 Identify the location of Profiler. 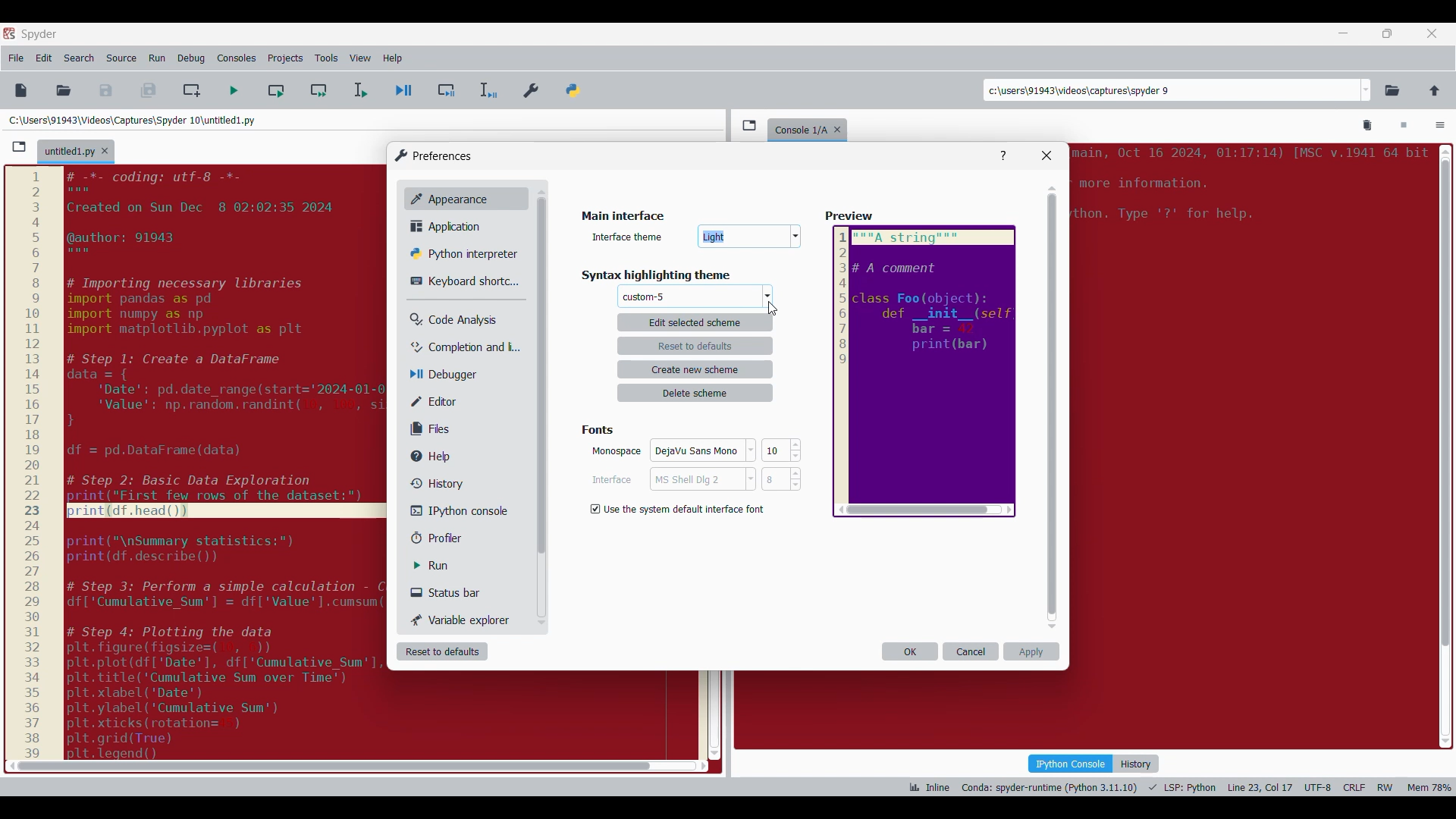
(450, 538).